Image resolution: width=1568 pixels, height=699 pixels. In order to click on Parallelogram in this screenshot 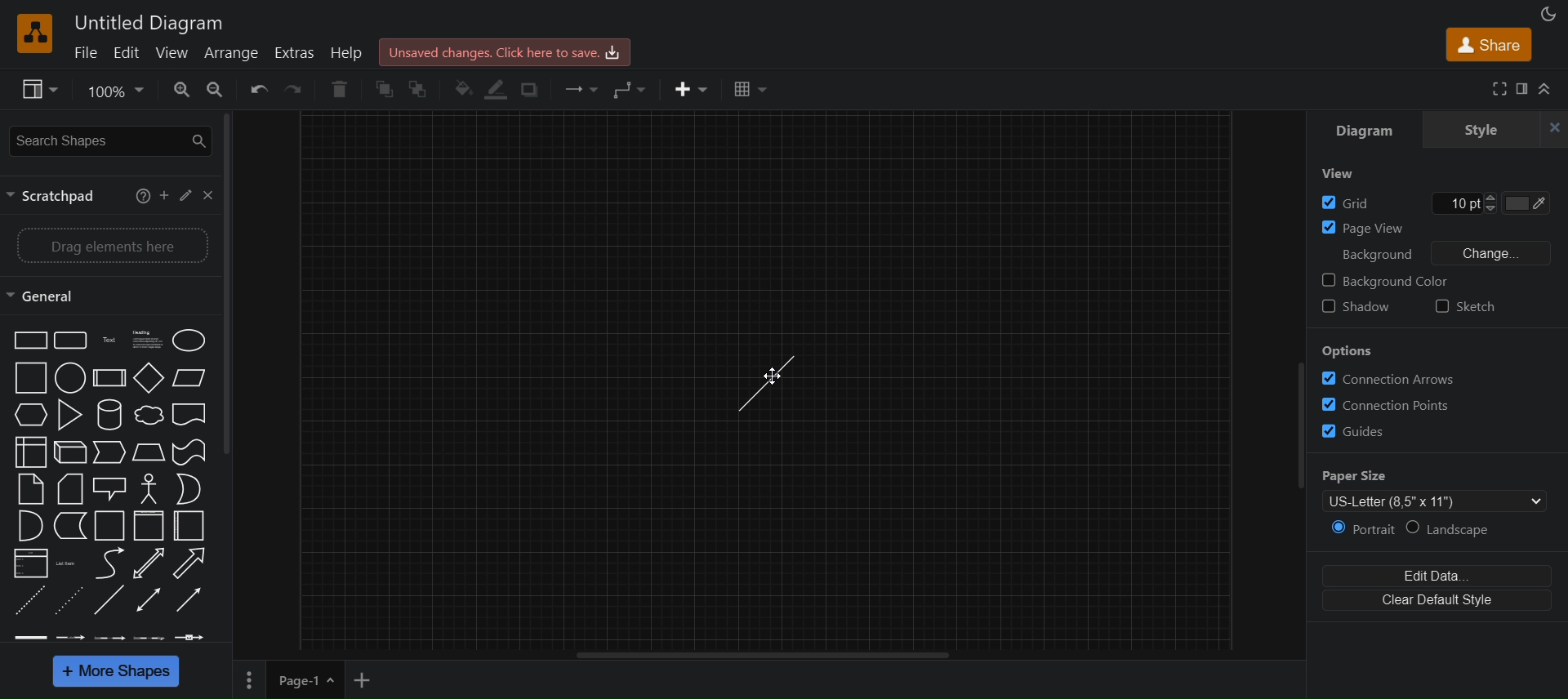, I will do `click(189, 377)`.